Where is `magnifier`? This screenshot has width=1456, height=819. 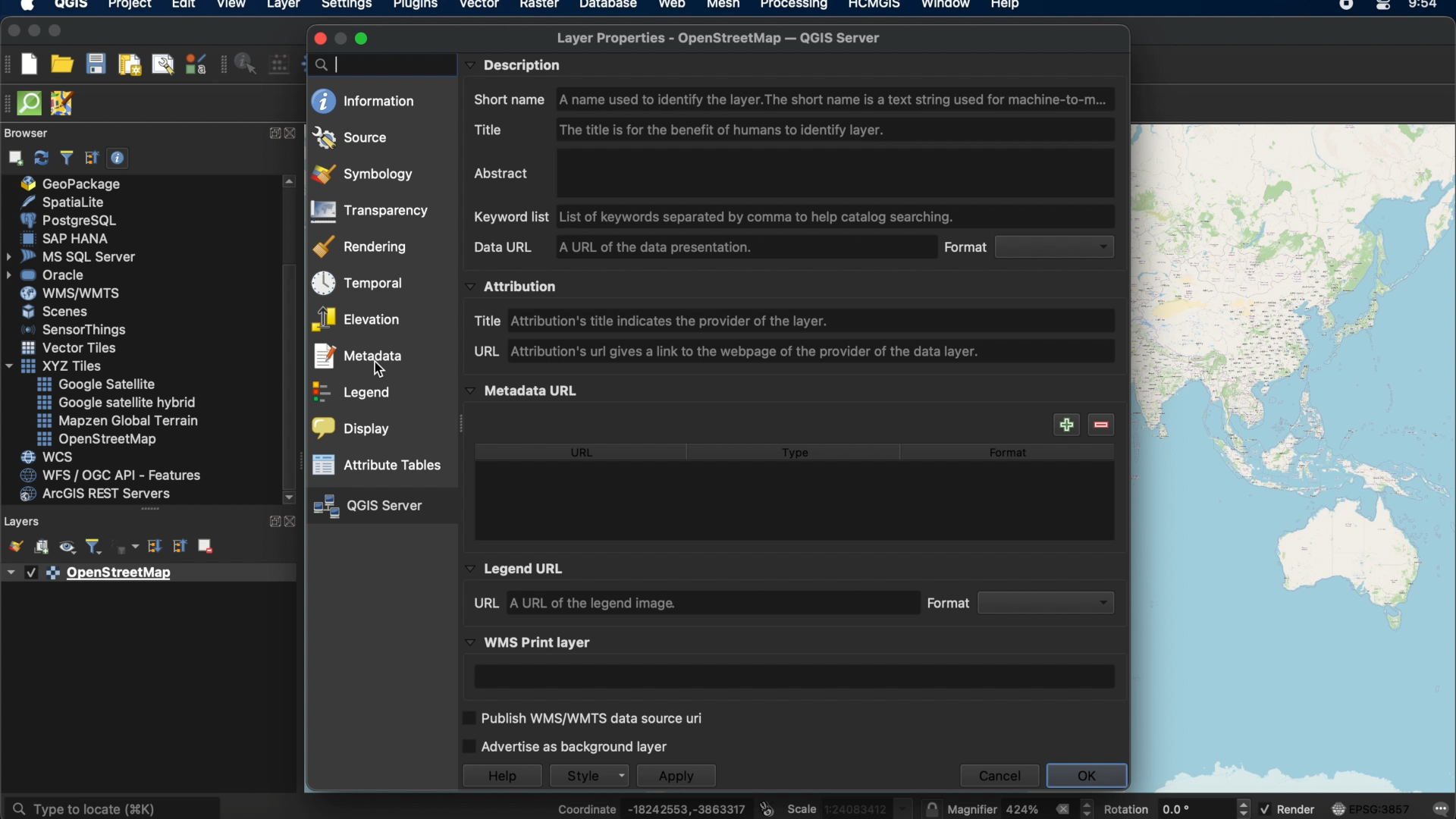
magnifier is located at coordinates (1023, 808).